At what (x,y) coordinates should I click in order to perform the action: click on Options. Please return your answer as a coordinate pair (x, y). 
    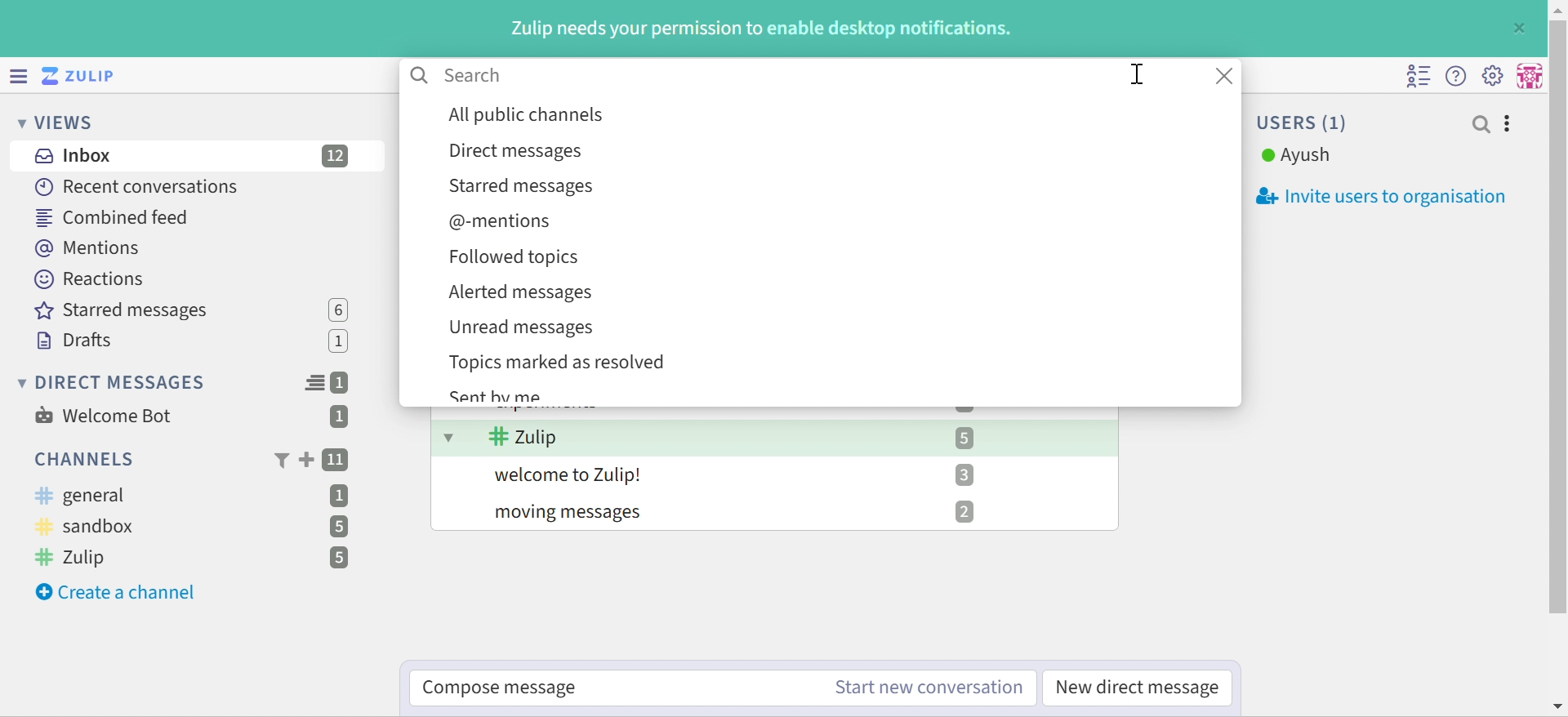
    Looking at the image, I should click on (1508, 124).